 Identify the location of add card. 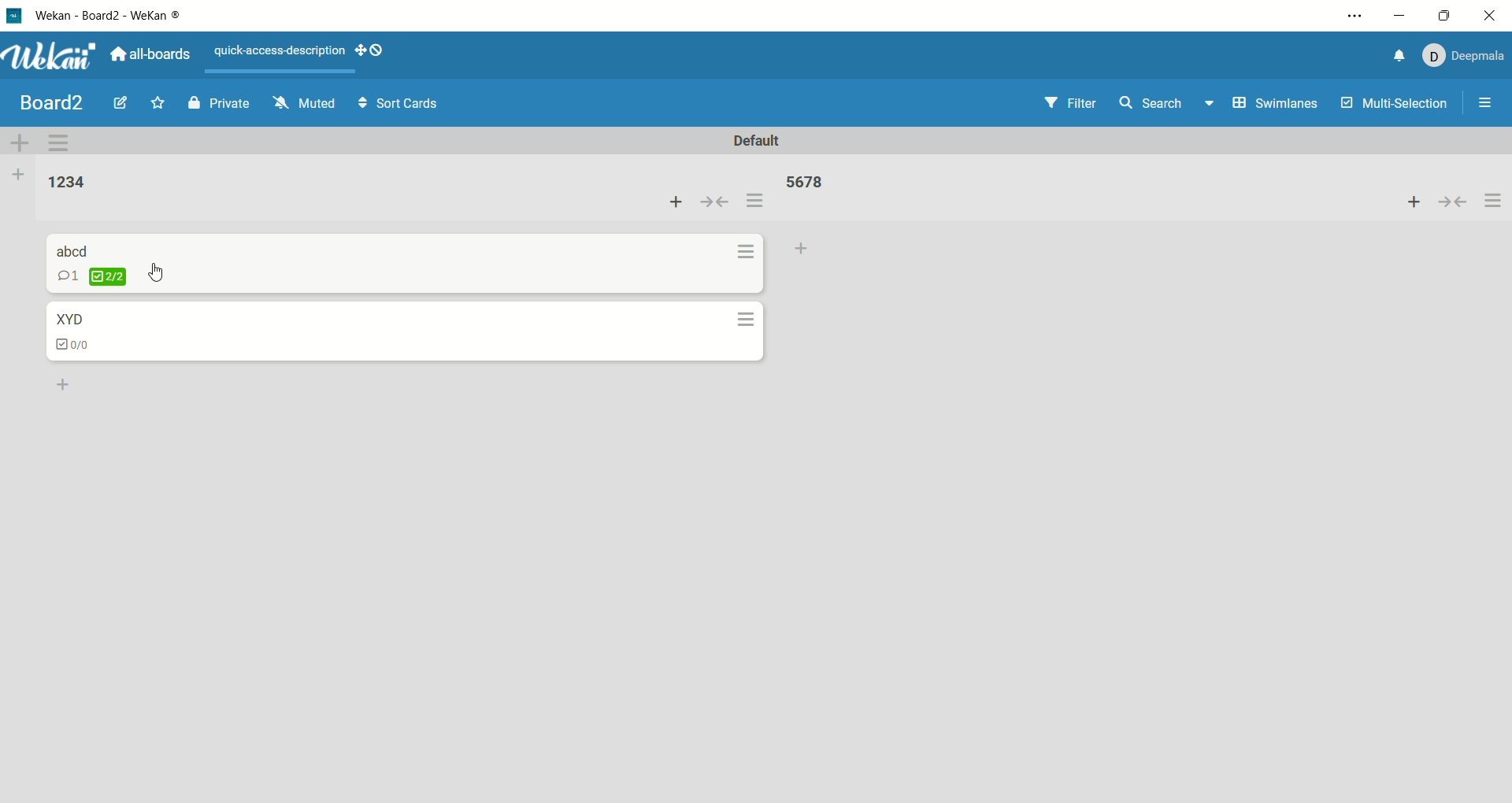
(809, 247).